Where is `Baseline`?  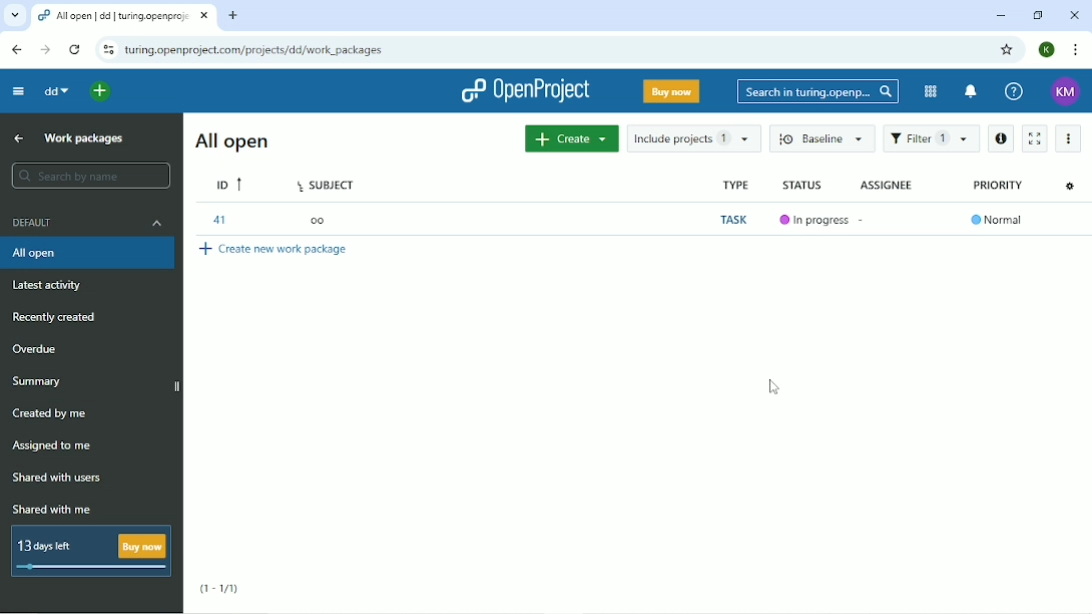 Baseline is located at coordinates (823, 140).